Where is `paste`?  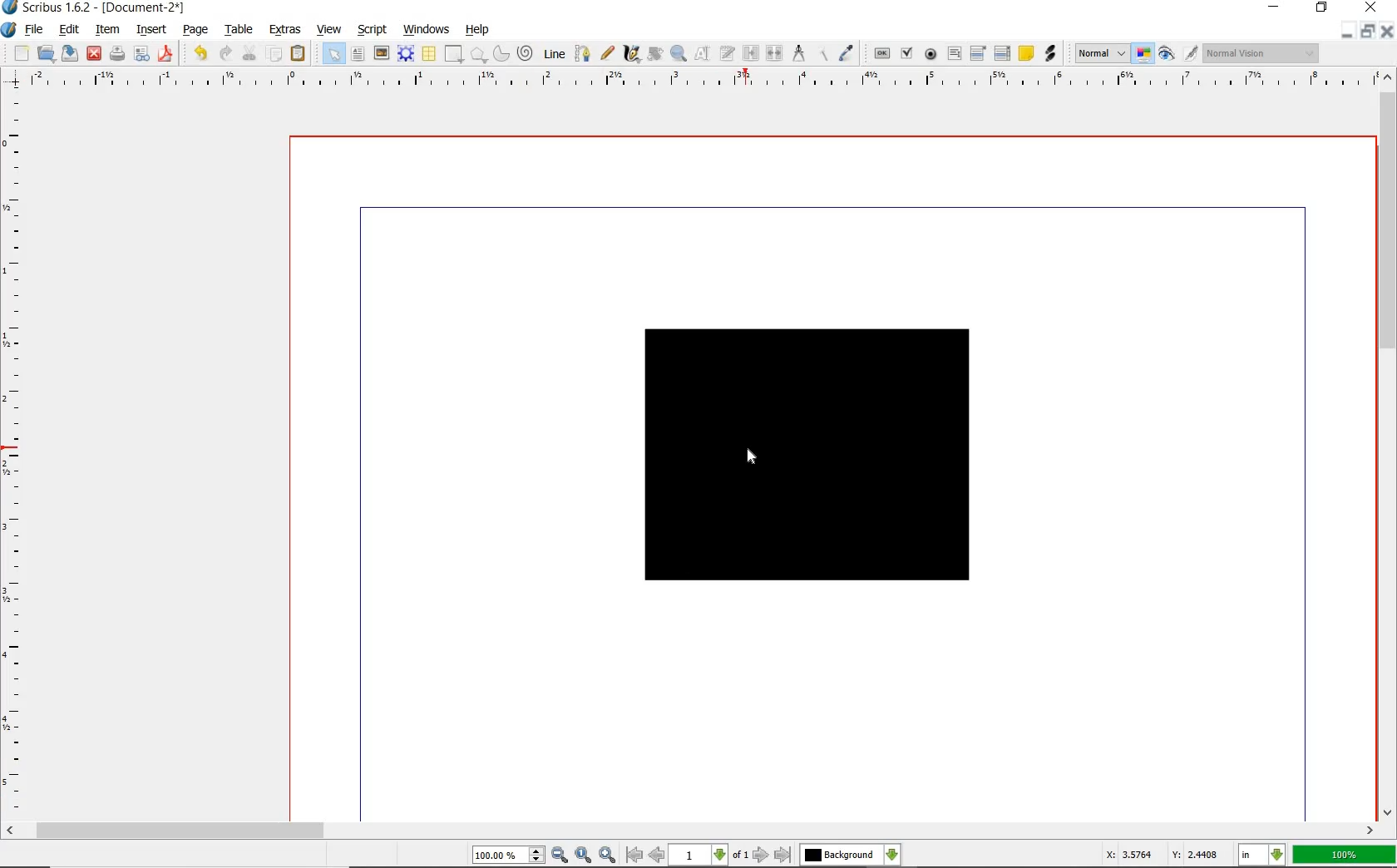
paste is located at coordinates (299, 55).